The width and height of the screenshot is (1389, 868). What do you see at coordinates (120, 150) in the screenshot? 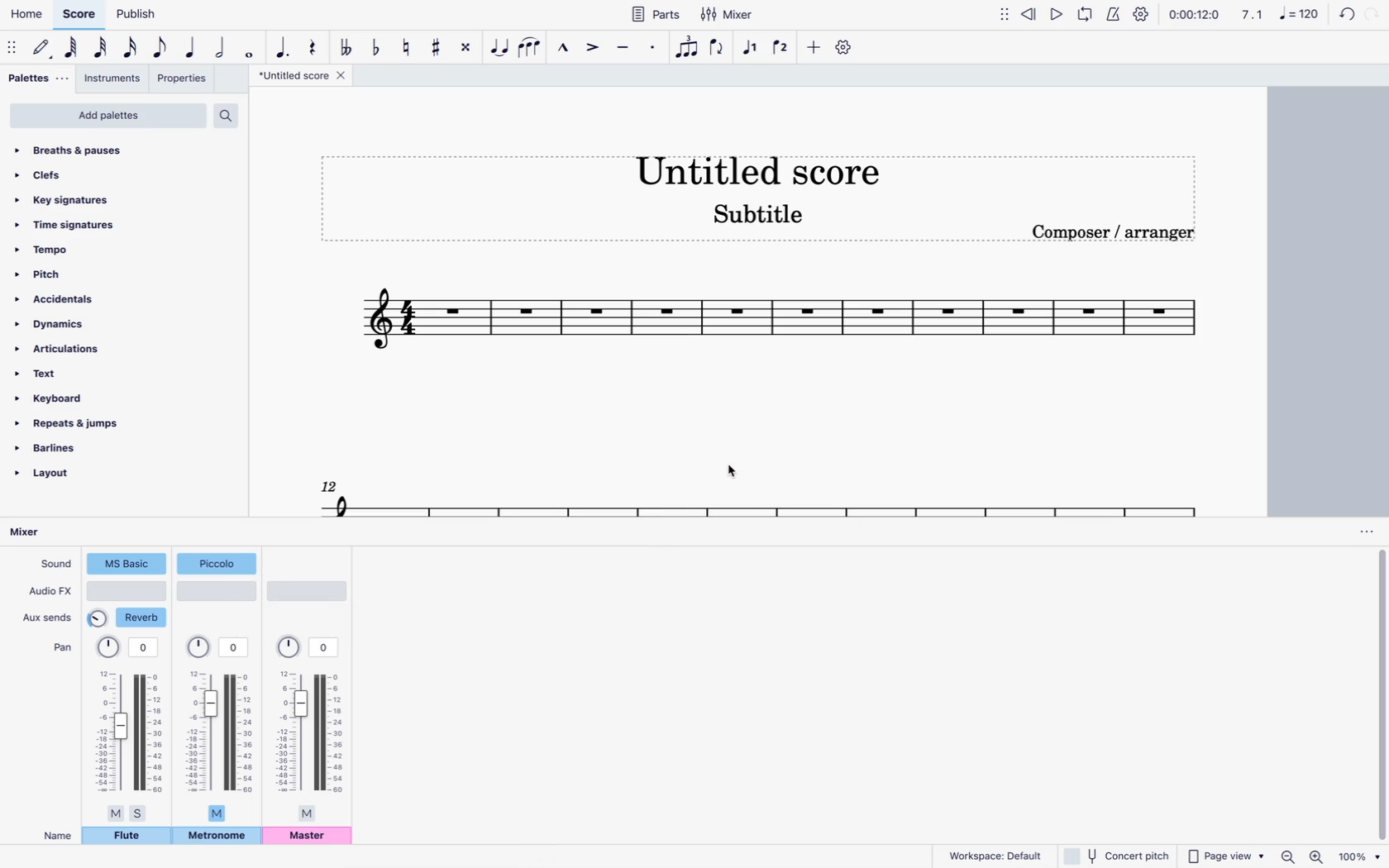
I see `breaths & pauses` at bounding box center [120, 150].